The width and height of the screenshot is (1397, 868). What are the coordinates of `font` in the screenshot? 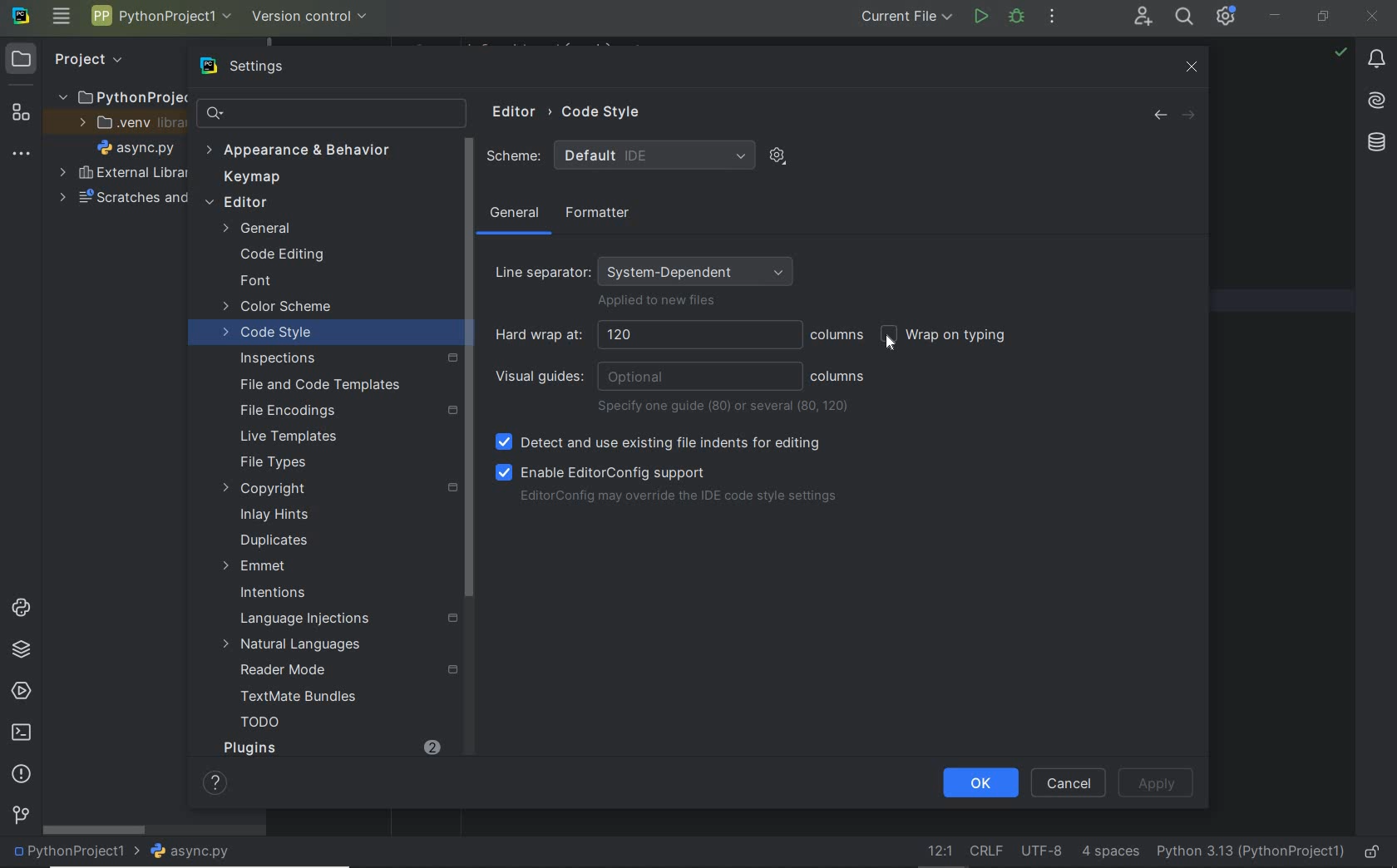 It's located at (255, 282).